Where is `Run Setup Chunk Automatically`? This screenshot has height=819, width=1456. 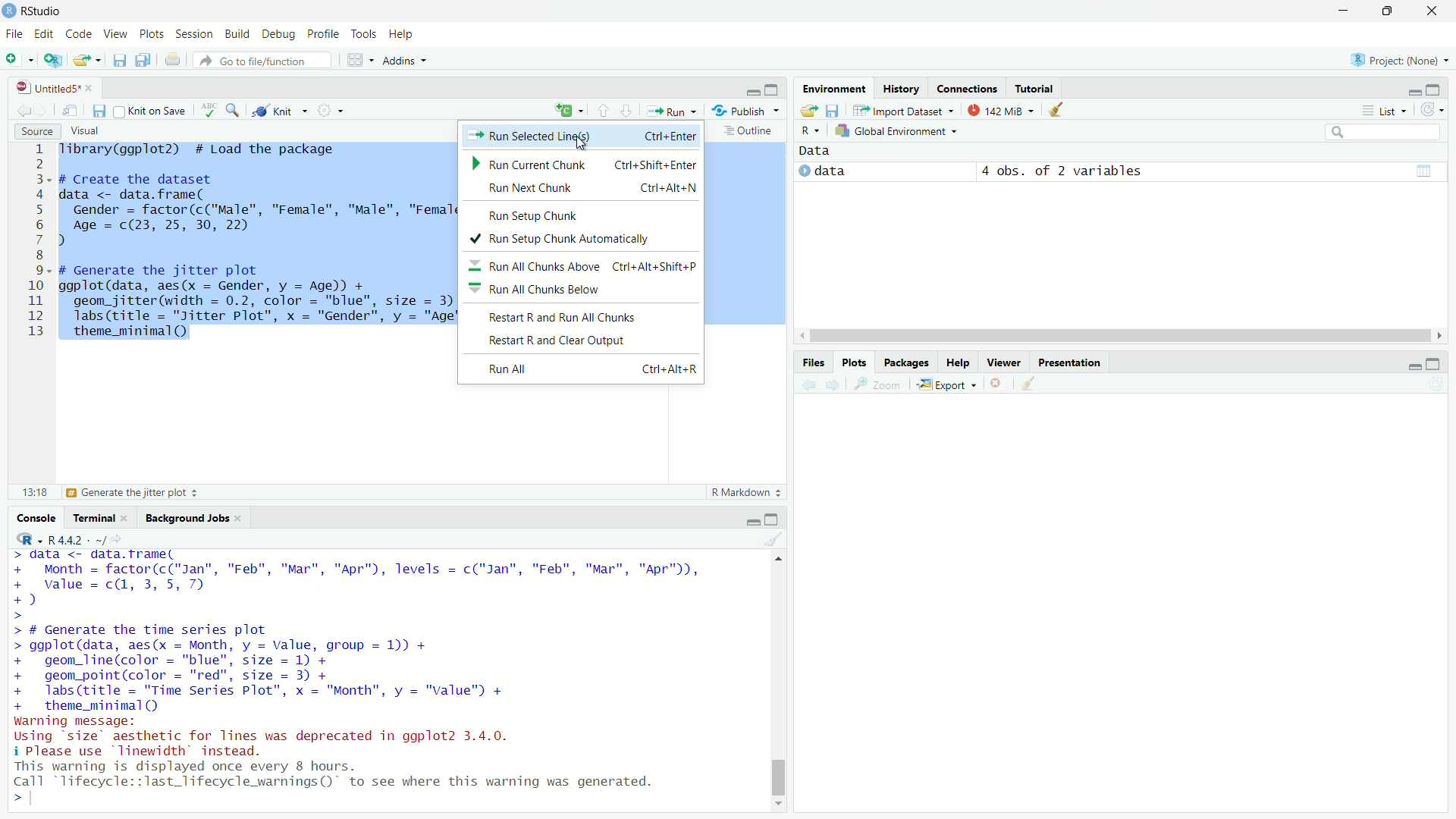 Run Setup Chunk Automatically is located at coordinates (582, 238).